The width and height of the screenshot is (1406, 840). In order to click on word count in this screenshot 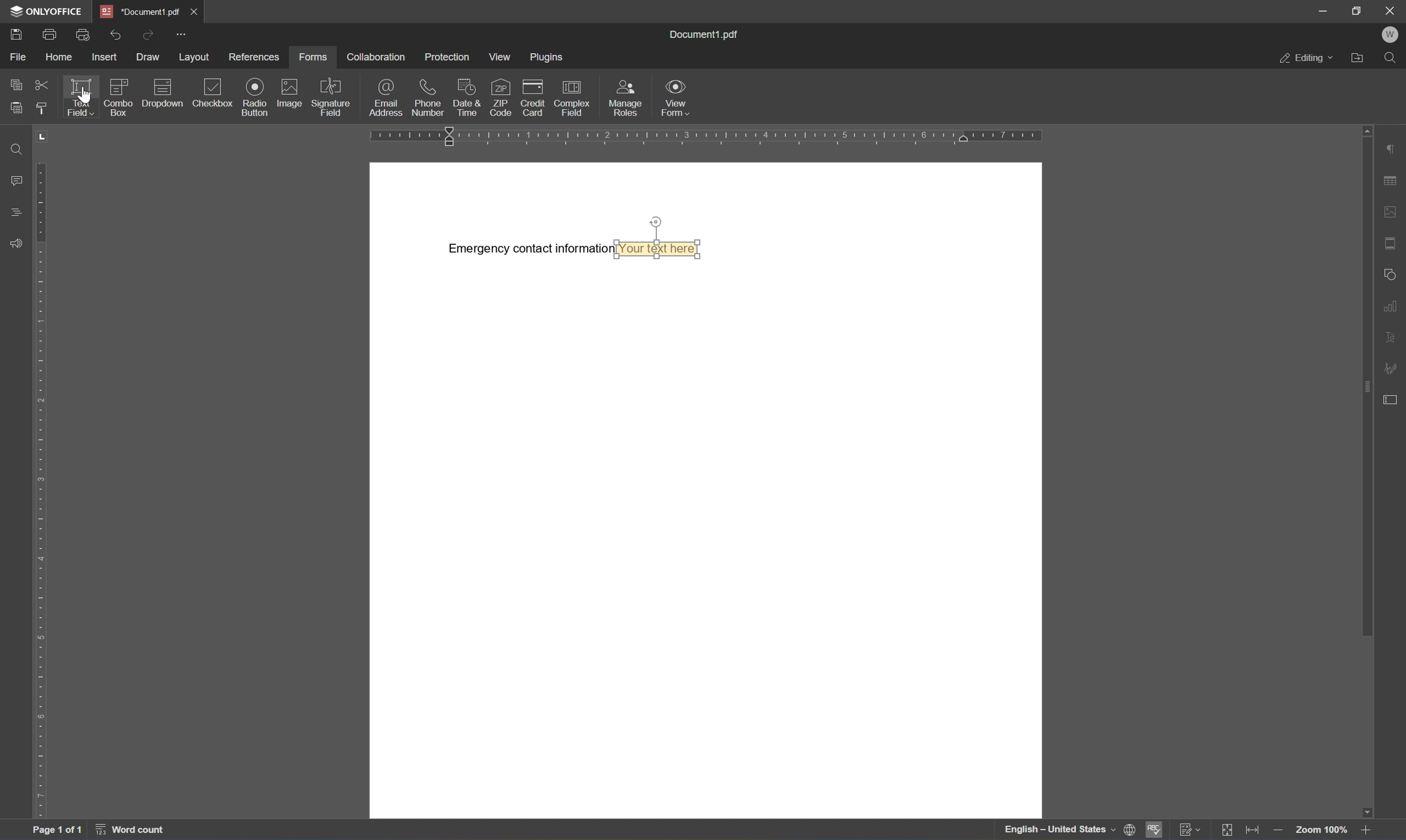, I will do `click(132, 830)`.